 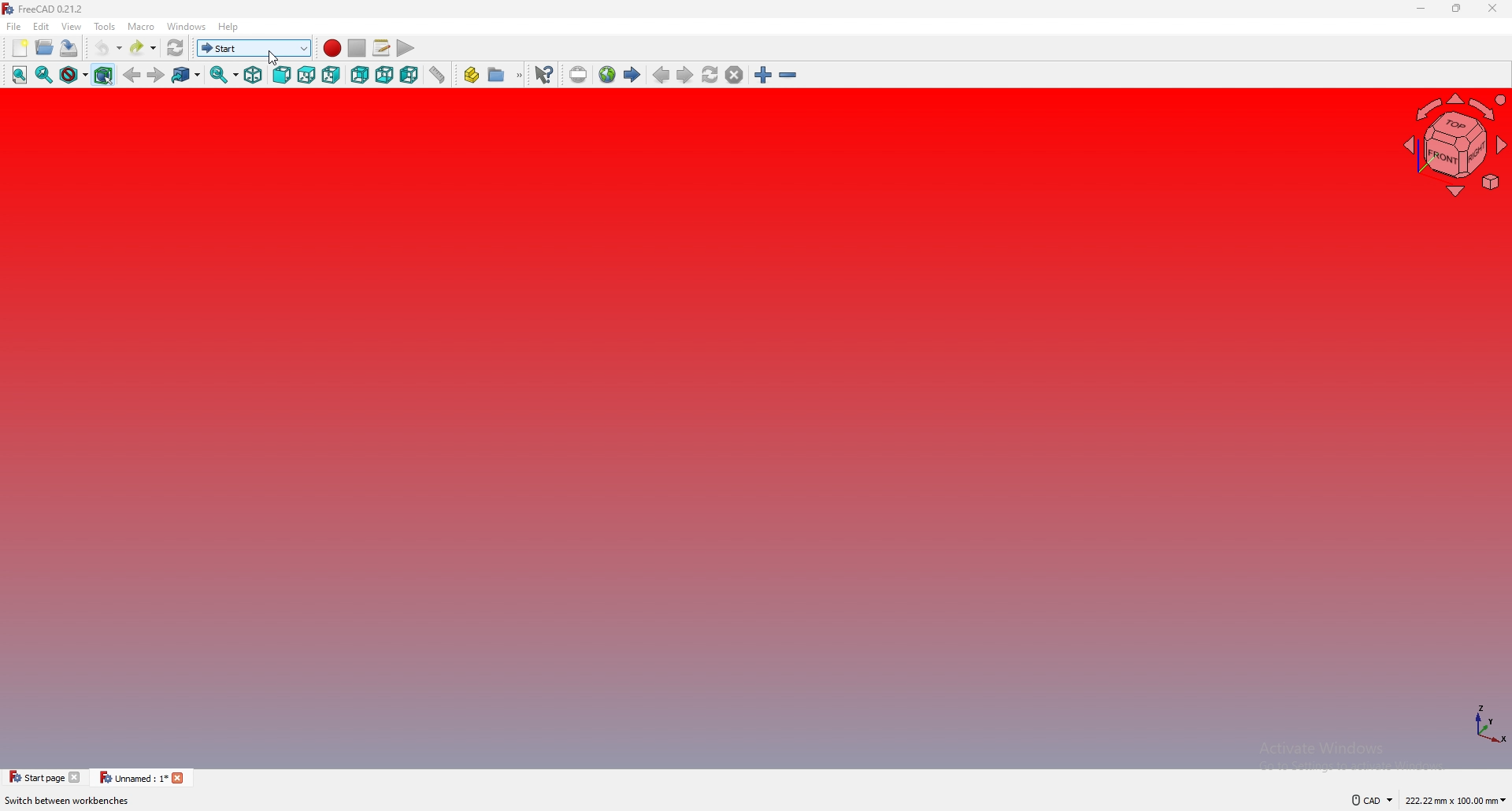 What do you see at coordinates (46, 9) in the screenshot?
I see `freecad` at bounding box center [46, 9].